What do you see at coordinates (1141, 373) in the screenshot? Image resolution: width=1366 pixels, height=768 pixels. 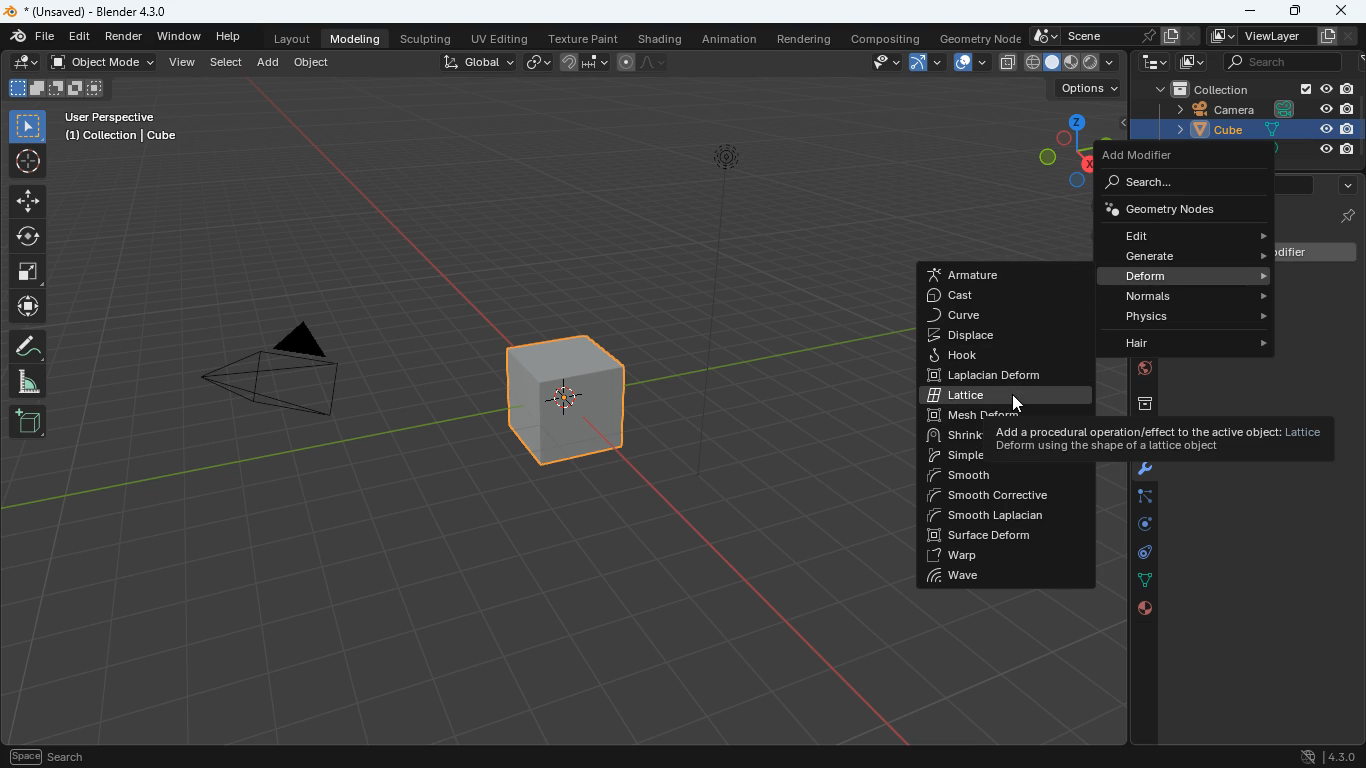 I see `globe` at bounding box center [1141, 373].